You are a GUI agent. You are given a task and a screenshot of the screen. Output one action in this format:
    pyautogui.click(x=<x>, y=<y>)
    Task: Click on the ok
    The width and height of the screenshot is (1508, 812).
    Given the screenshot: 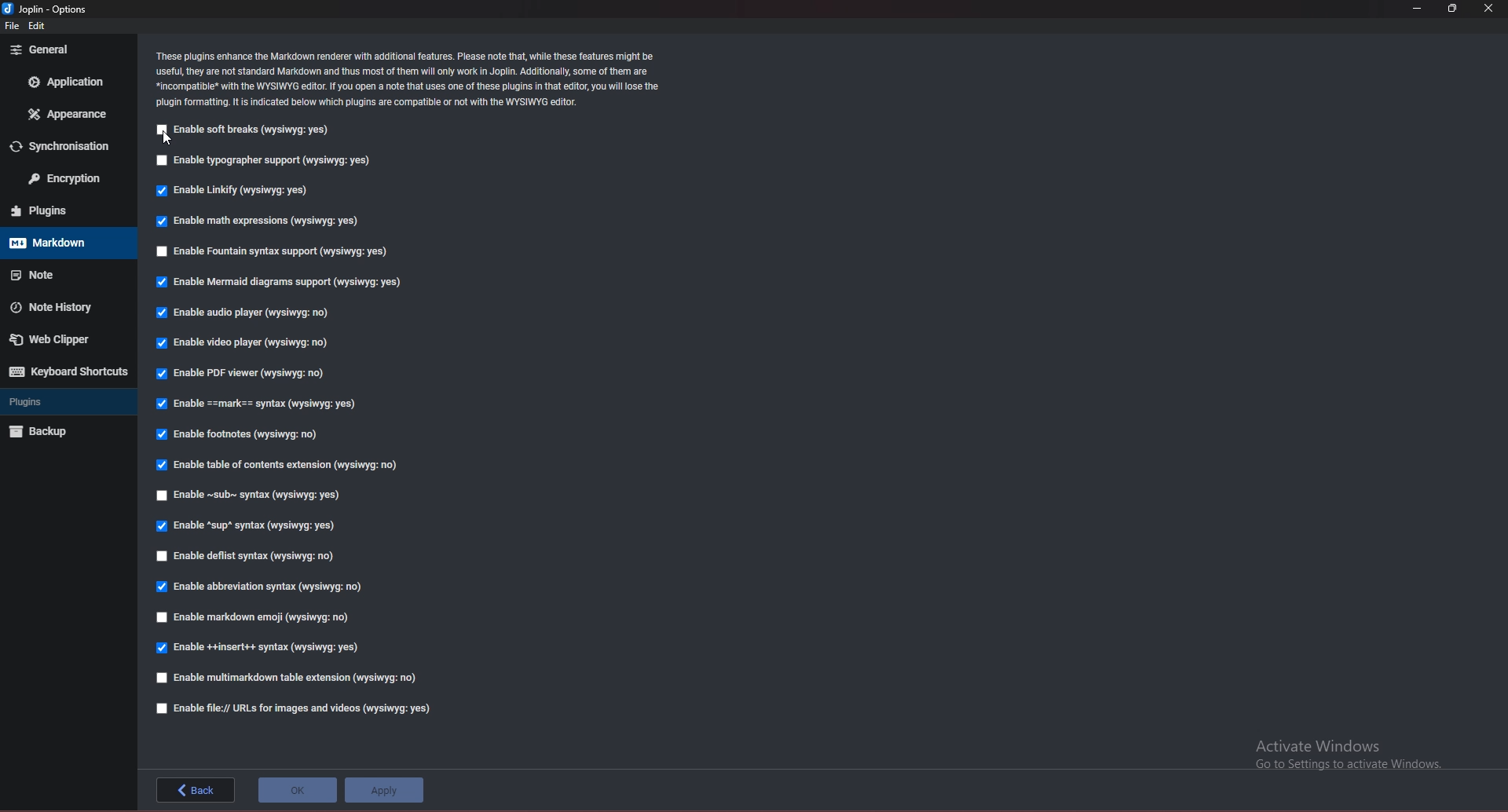 What is the action you would take?
    pyautogui.click(x=298, y=790)
    